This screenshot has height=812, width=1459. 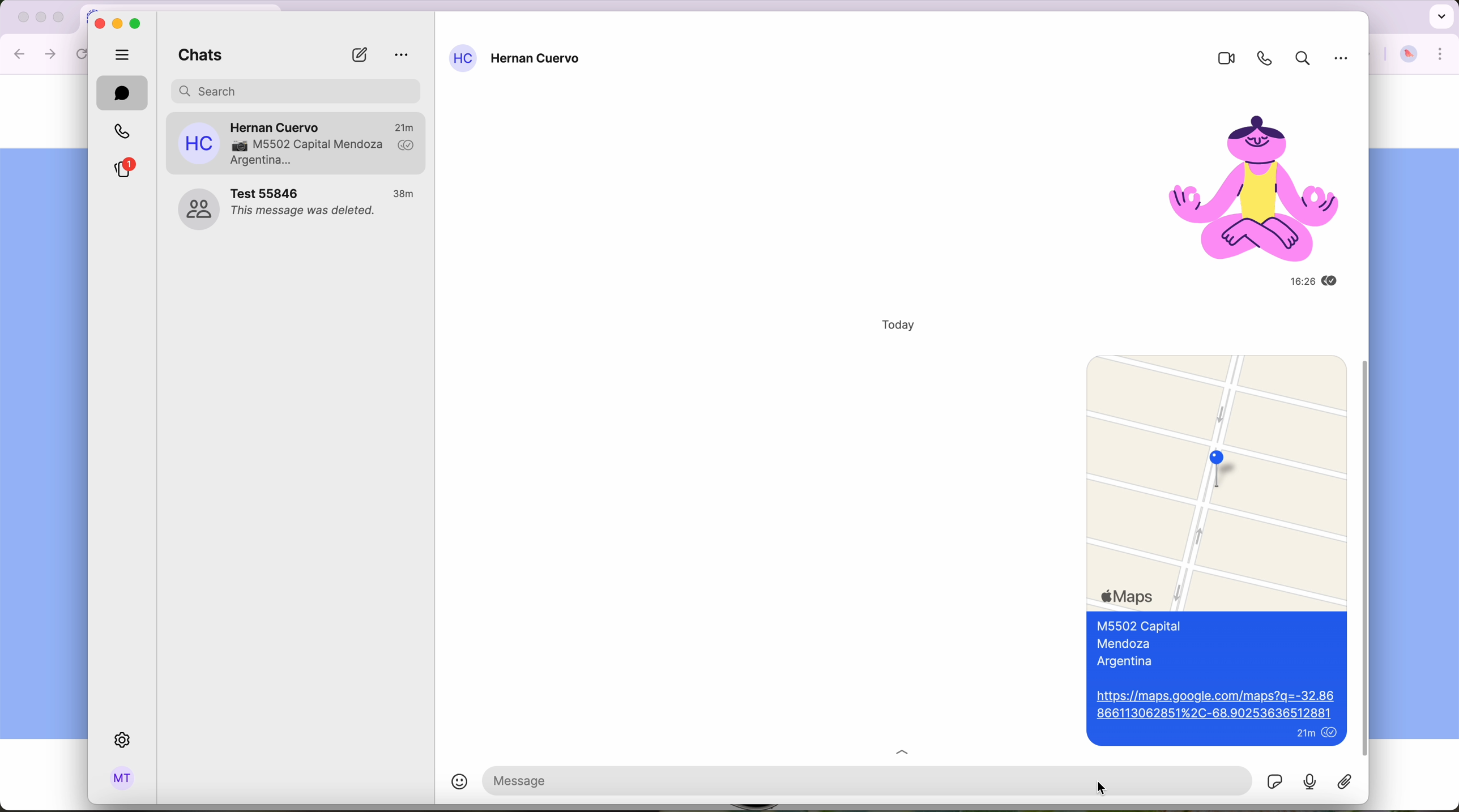 I want to click on chats, so click(x=122, y=93).